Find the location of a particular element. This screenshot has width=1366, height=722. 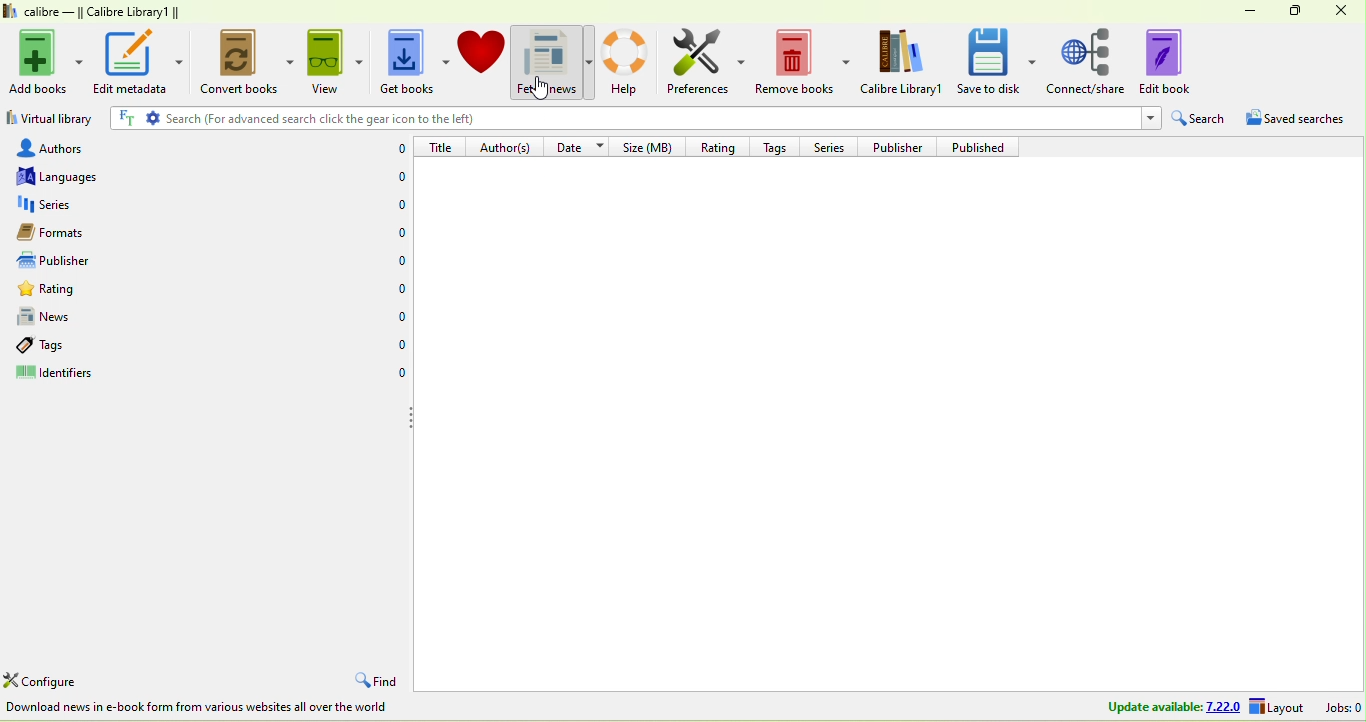

series is located at coordinates (831, 147).